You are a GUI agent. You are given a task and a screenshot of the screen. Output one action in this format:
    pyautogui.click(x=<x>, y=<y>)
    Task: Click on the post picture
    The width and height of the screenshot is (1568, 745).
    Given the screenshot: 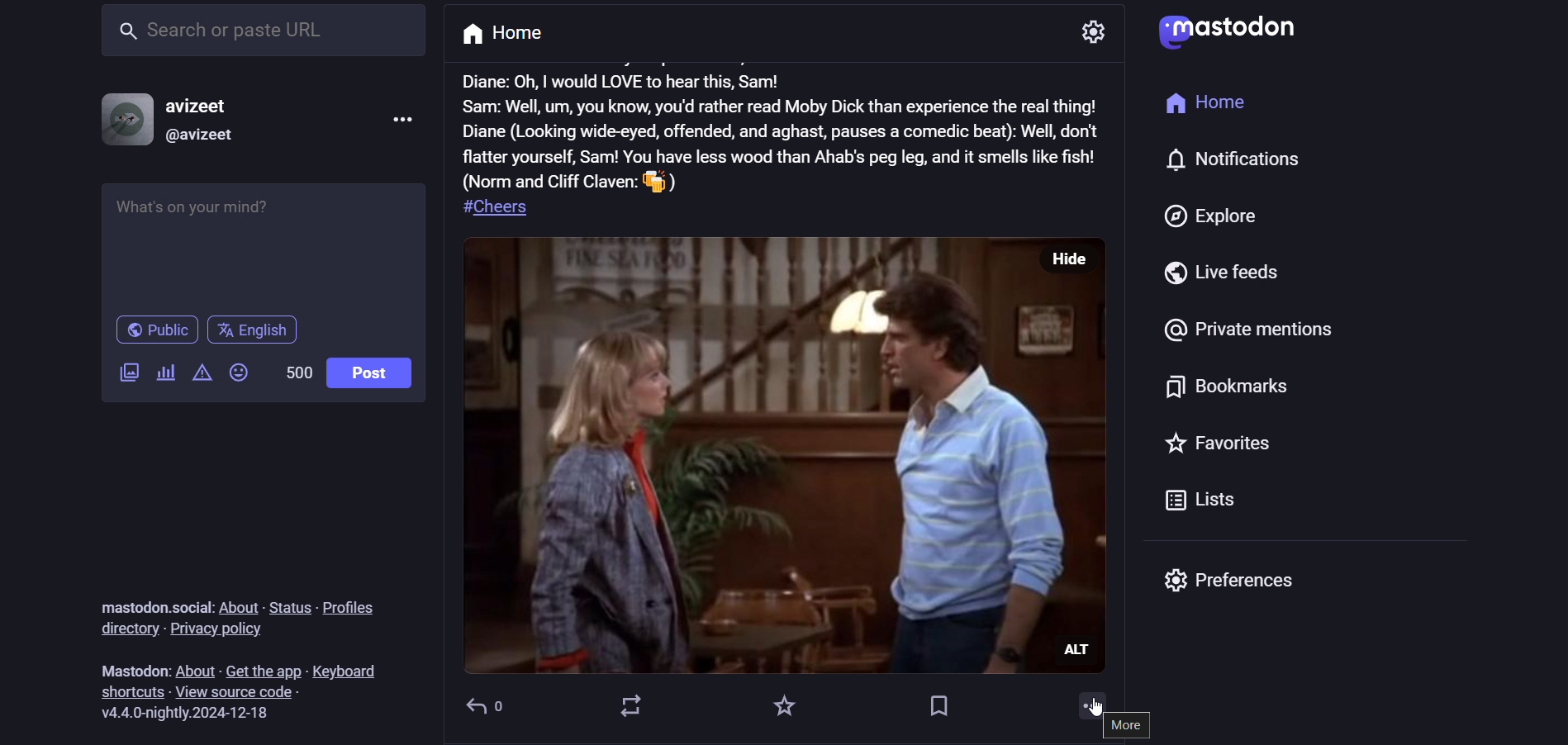 What is the action you would take?
    pyautogui.click(x=739, y=456)
    